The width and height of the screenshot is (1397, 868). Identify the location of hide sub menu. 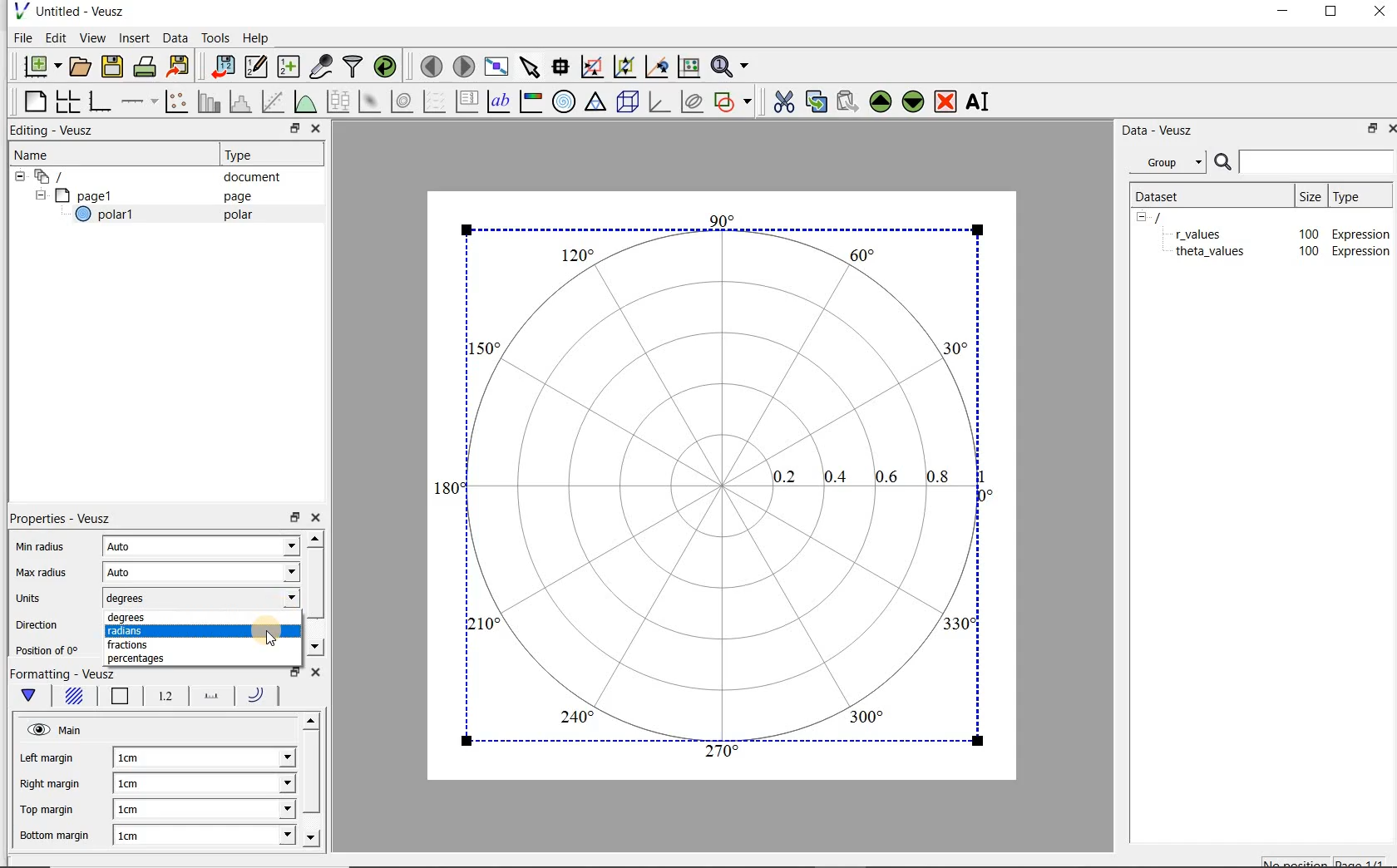
(34, 196).